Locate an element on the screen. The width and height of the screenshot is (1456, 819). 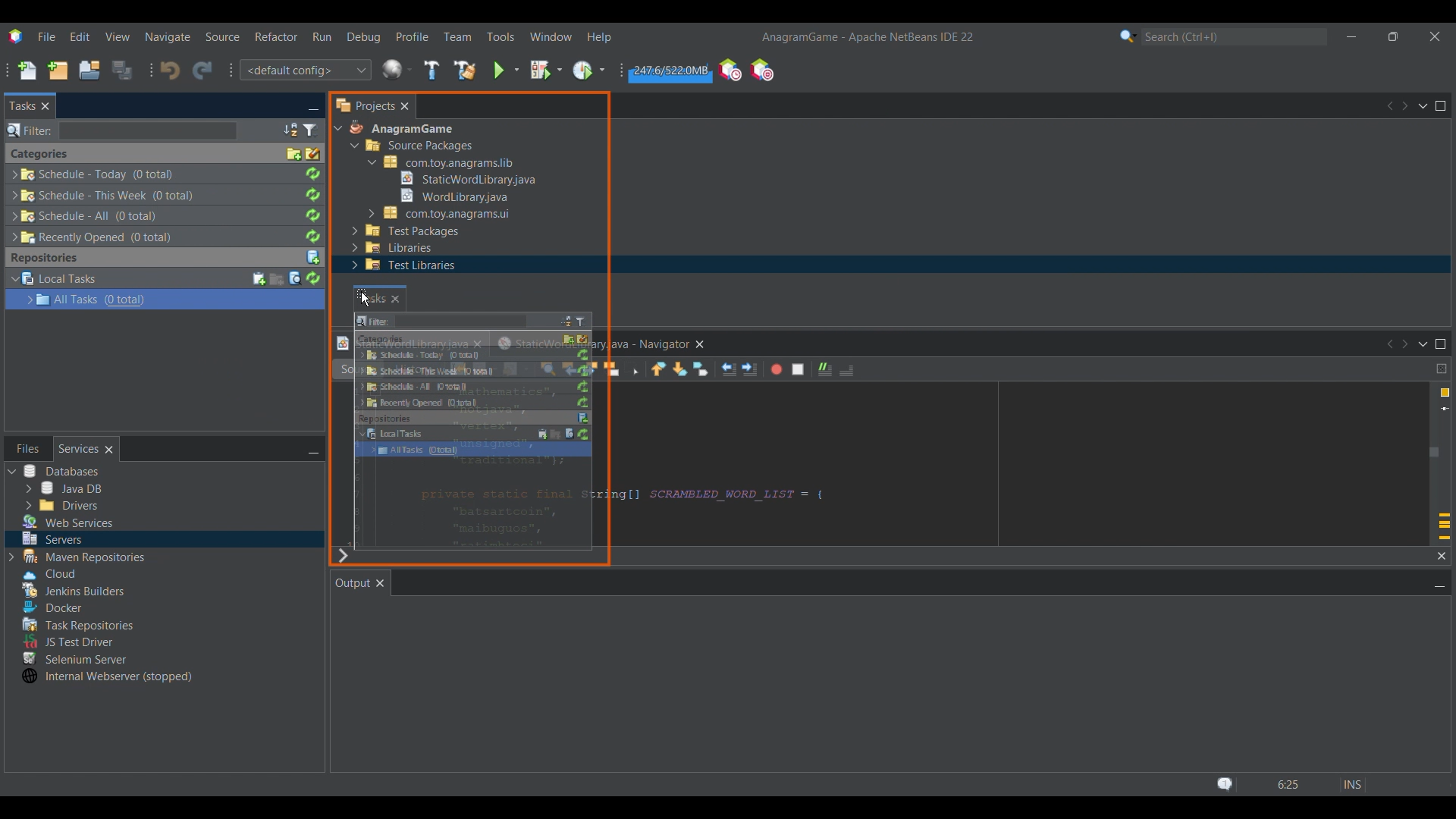
Edit menu is located at coordinates (80, 36).